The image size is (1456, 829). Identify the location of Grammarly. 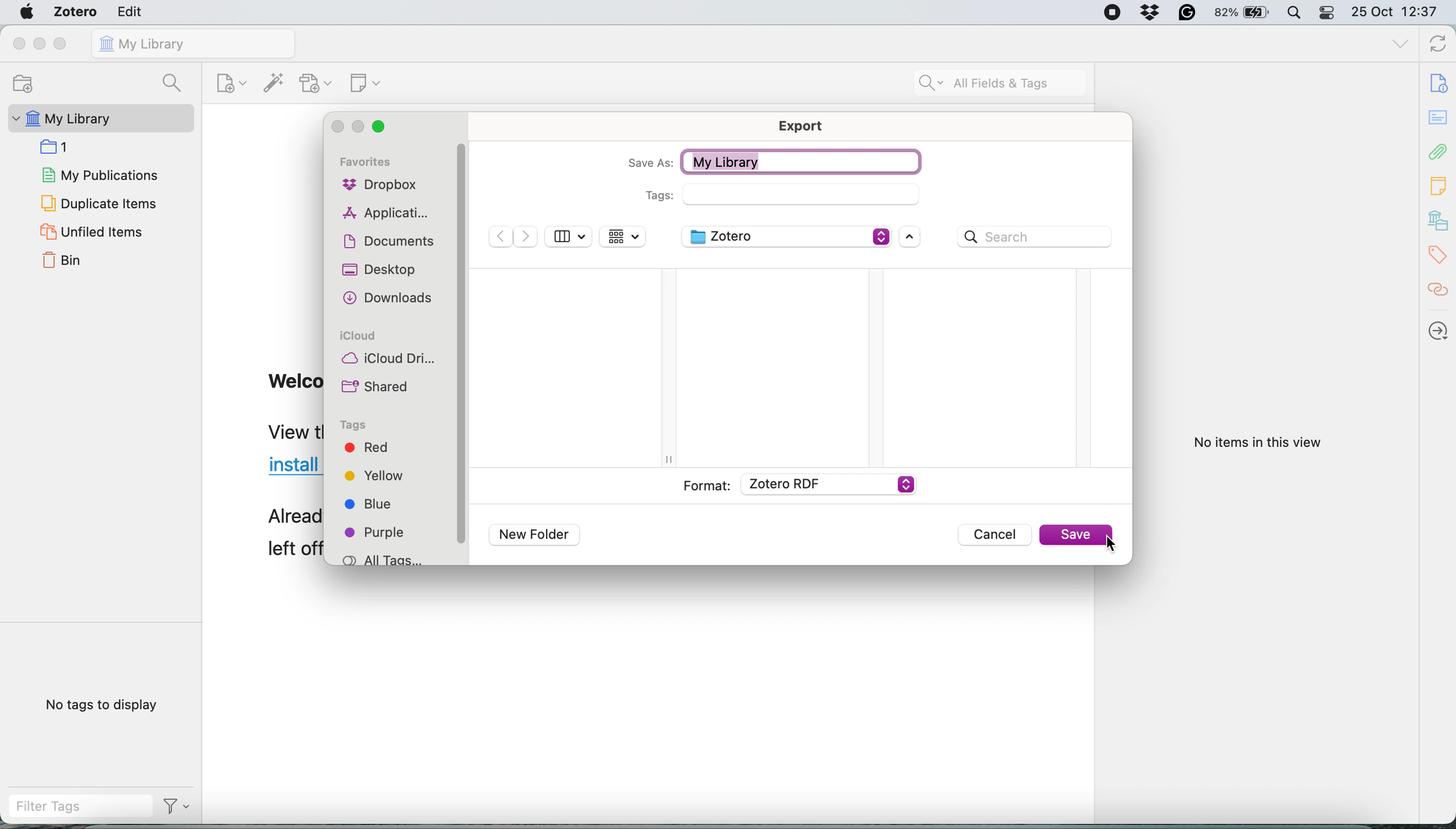
(1185, 12).